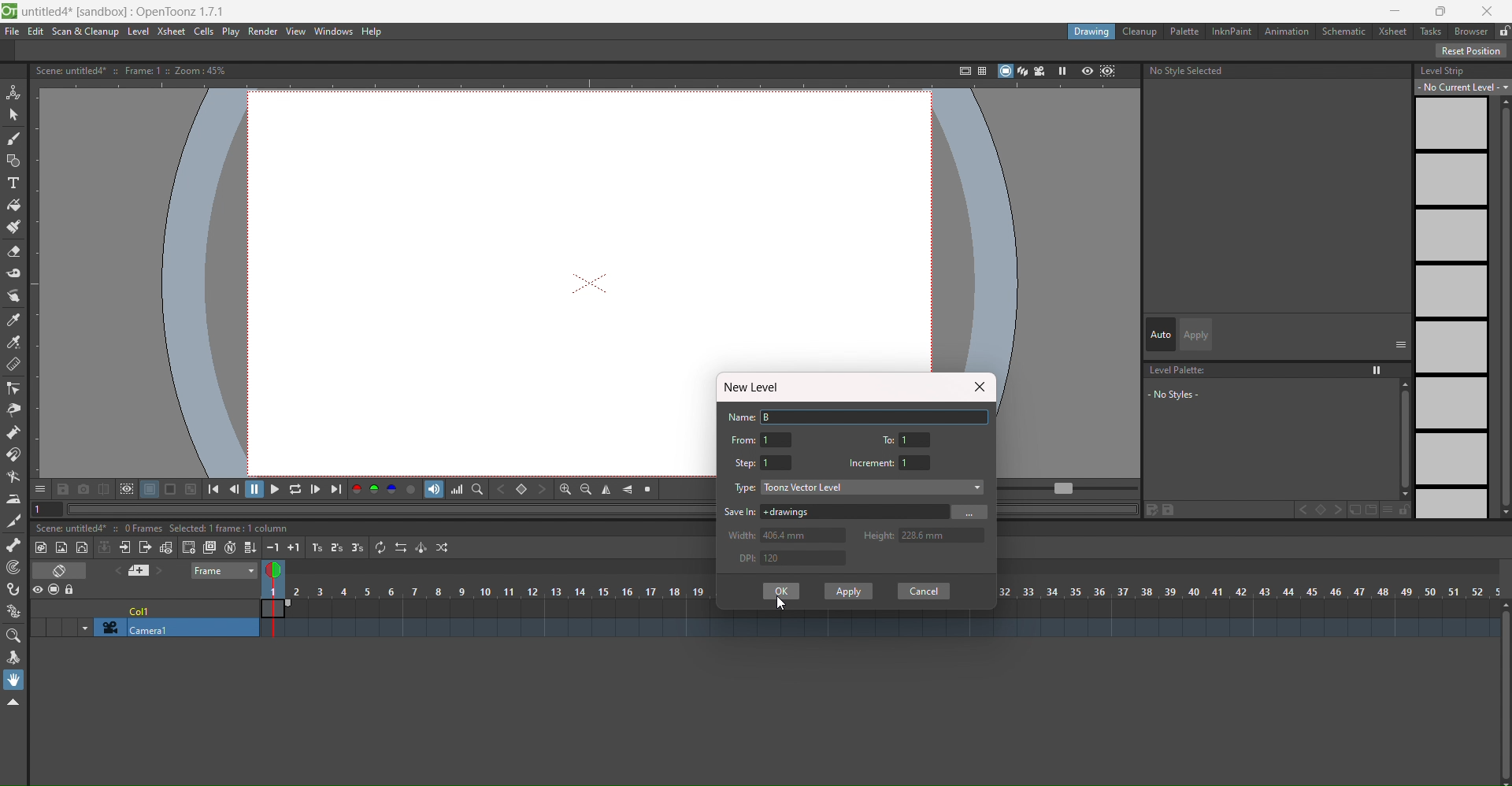  What do you see at coordinates (1061, 71) in the screenshot?
I see `freeze` at bounding box center [1061, 71].